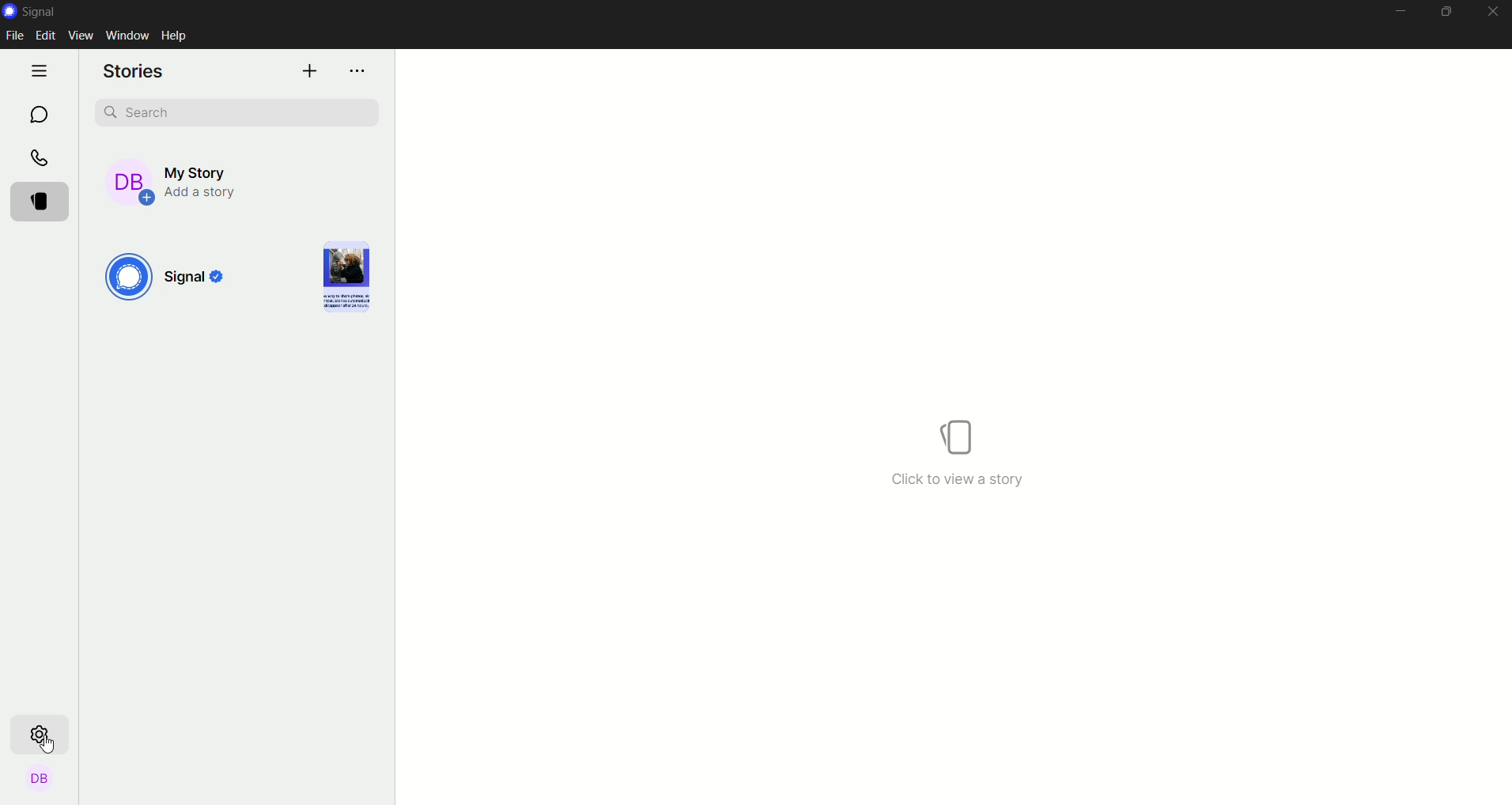 The height and width of the screenshot is (805, 1512). What do you see at coordinates (954, 479) in the screenshot?
I see `text` at bounding box center [954, 479].